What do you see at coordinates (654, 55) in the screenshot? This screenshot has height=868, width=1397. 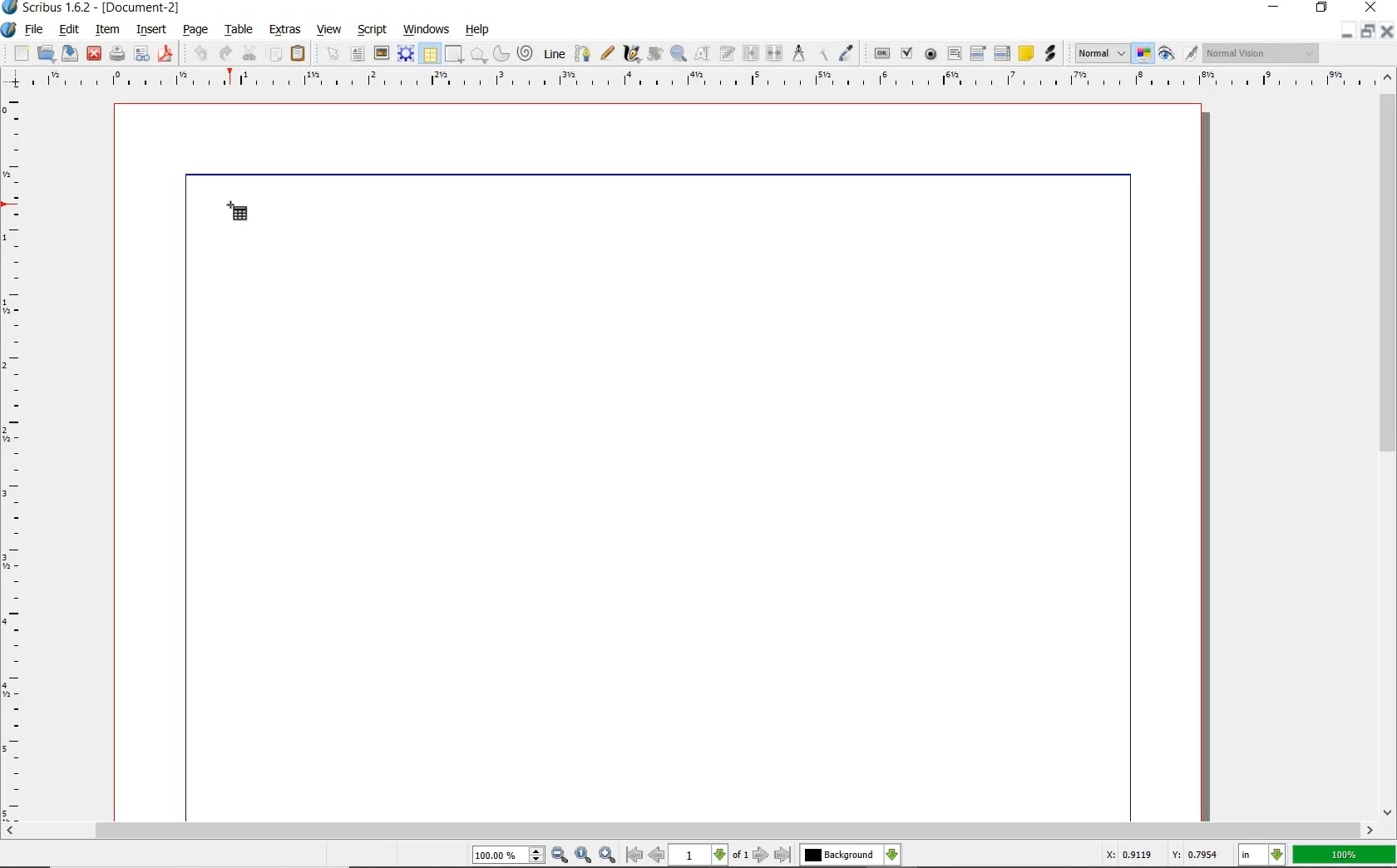 I see `rotate item` at bounding box center [654, 55].